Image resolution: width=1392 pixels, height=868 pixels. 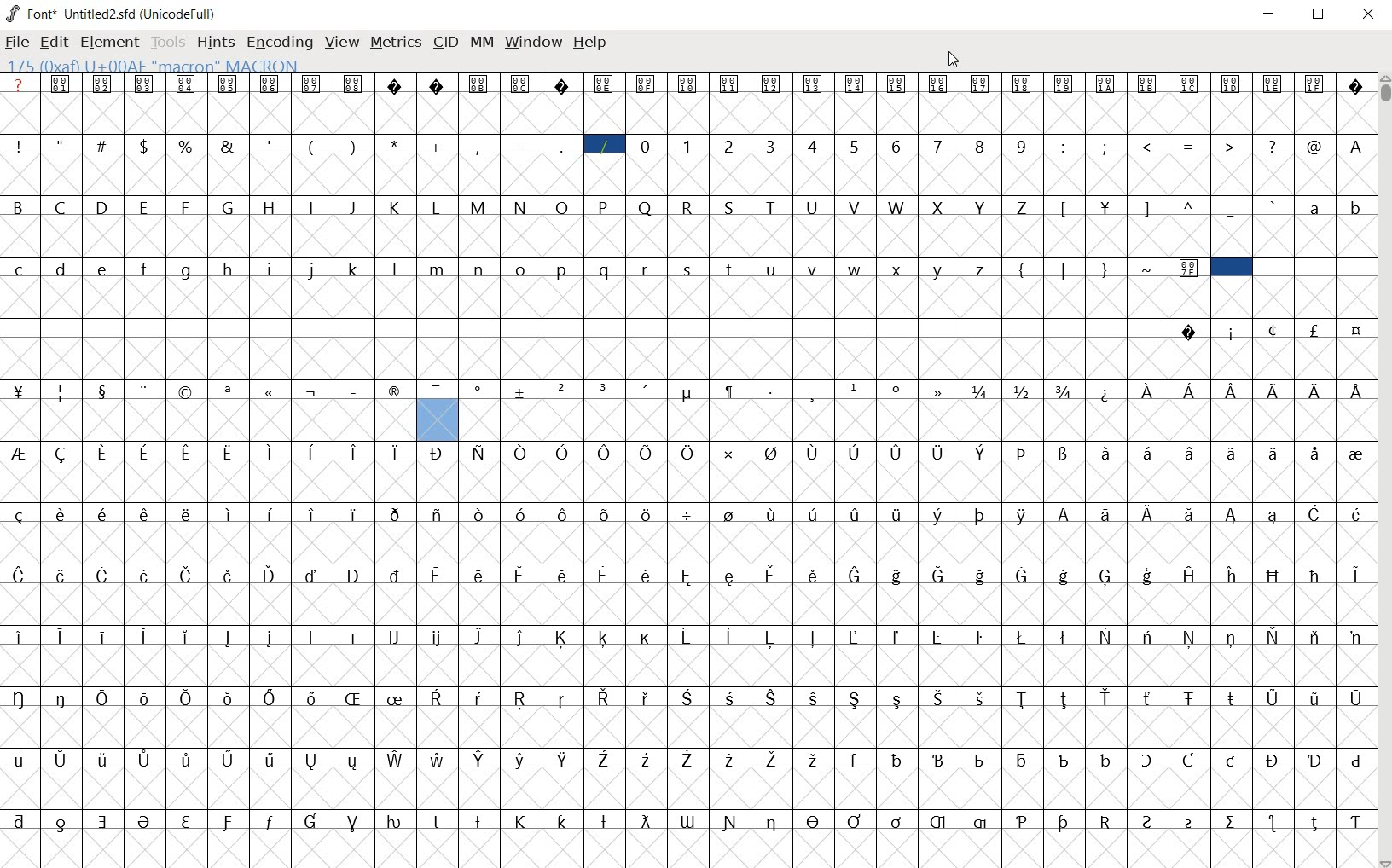 What do you see at coordinates (1273, 823) in the screenshot?
I see `Symbol` at bounding box center [1273, 823].